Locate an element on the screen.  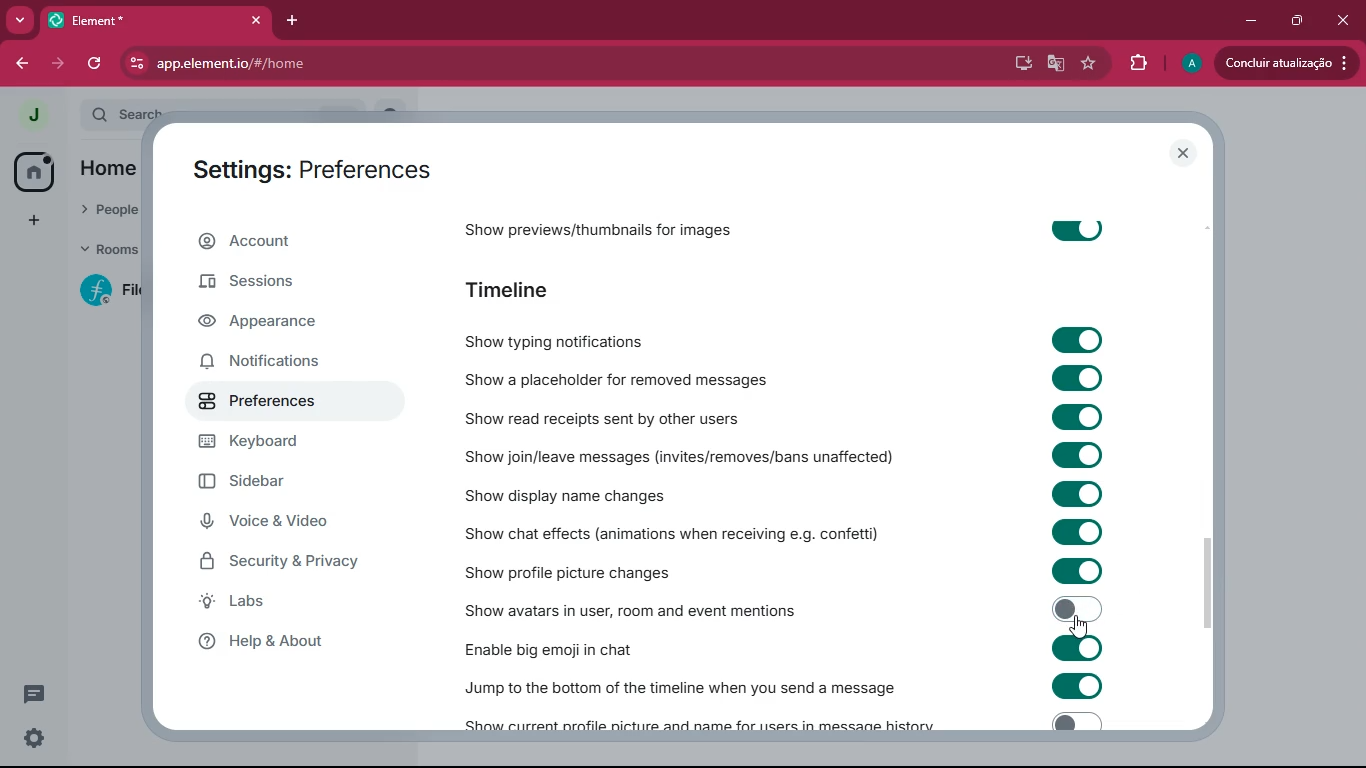
help is located at coordinates (294, 643).